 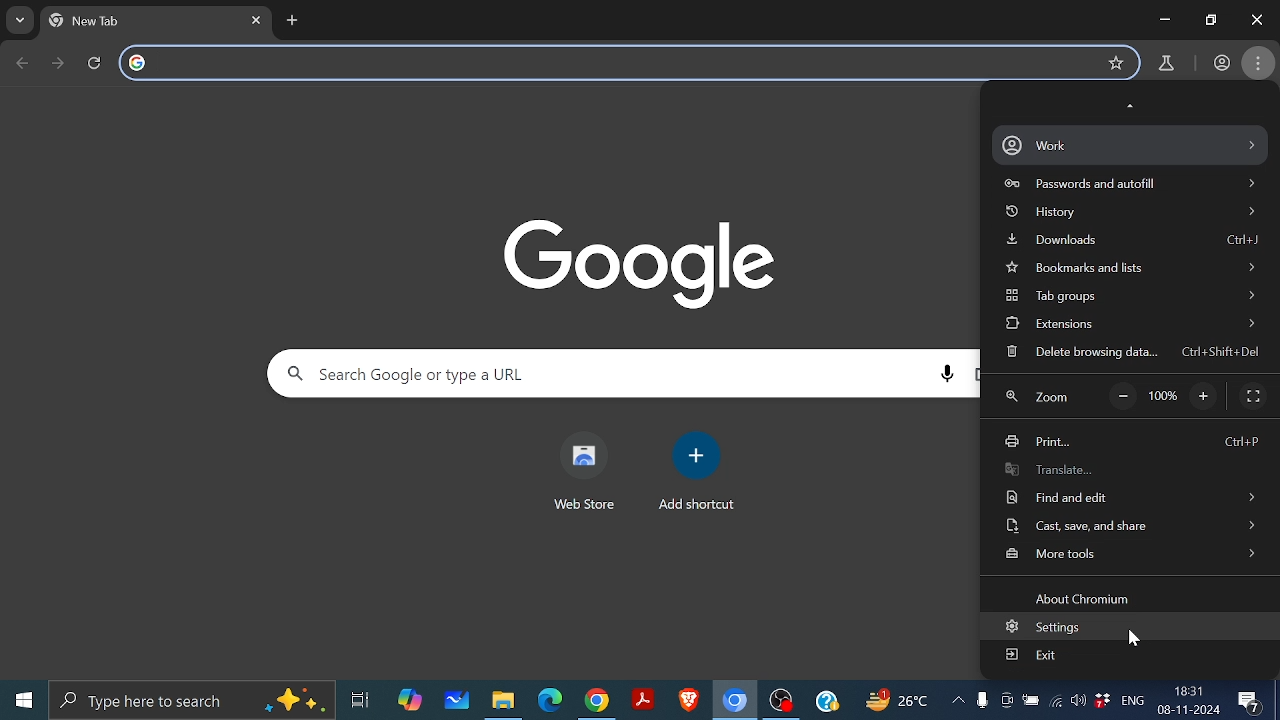 What do you see at coordinates (1128, 324) in the screenshot?
I see `Extensions` at bounding box center [1128, 324].